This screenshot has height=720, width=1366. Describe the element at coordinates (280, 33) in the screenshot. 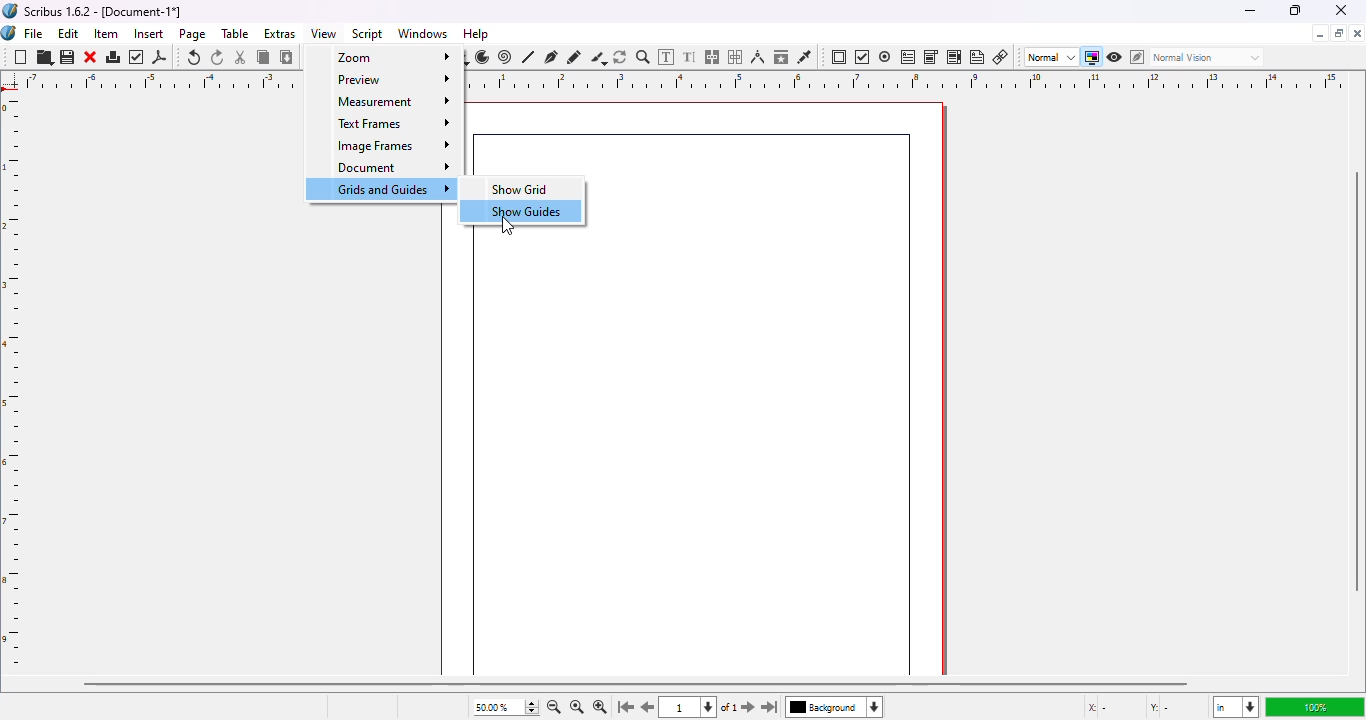

I see `extras` at that location.